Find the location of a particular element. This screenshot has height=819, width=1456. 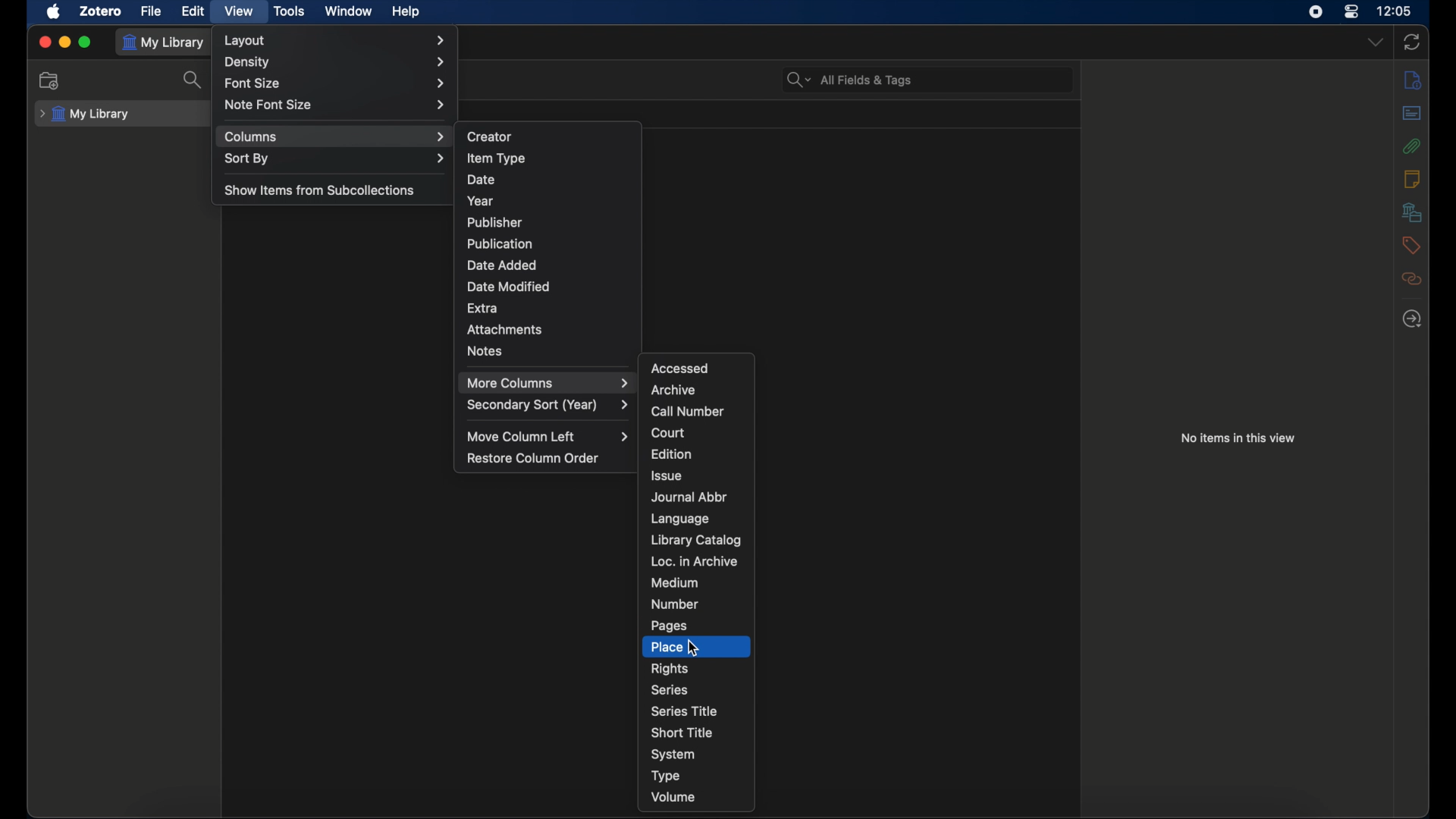

accessed is located at coordinates (681, 368).